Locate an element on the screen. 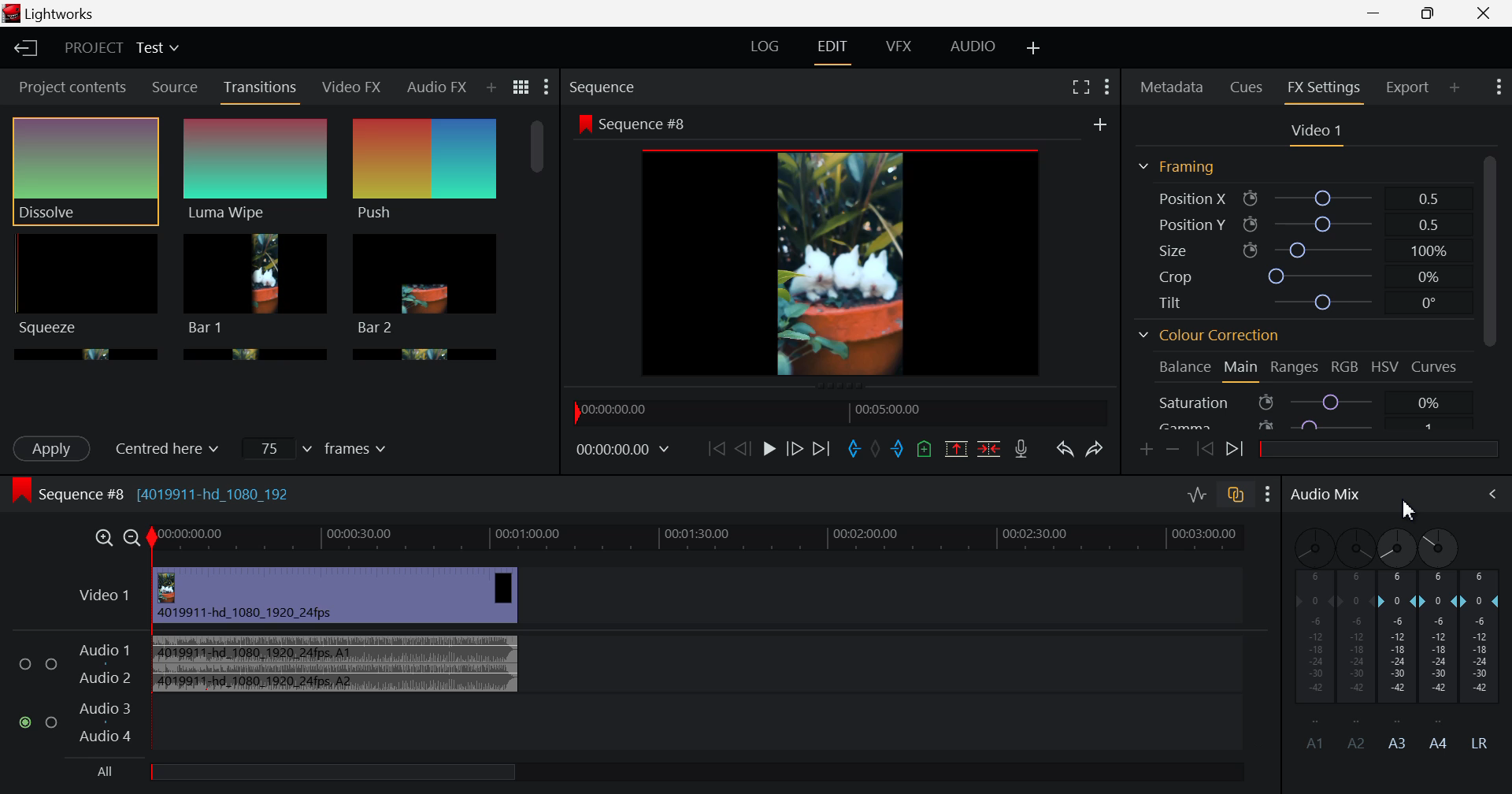 This screenshot has height=794, width=1512. Main Tab Open is located at coordinates (1242, 369).